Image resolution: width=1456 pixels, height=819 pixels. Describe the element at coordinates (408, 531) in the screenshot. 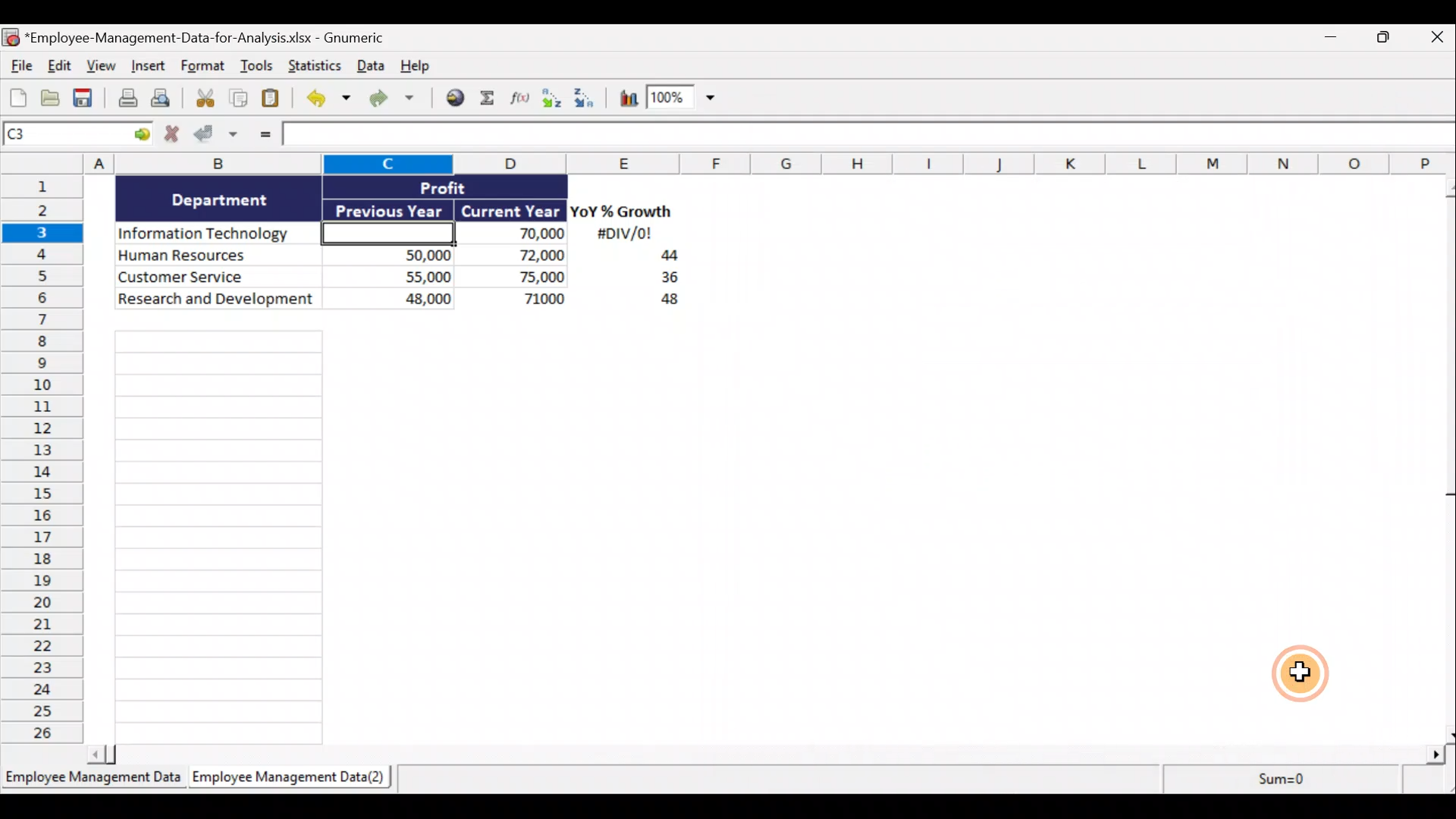

I see `Cells` at that location.